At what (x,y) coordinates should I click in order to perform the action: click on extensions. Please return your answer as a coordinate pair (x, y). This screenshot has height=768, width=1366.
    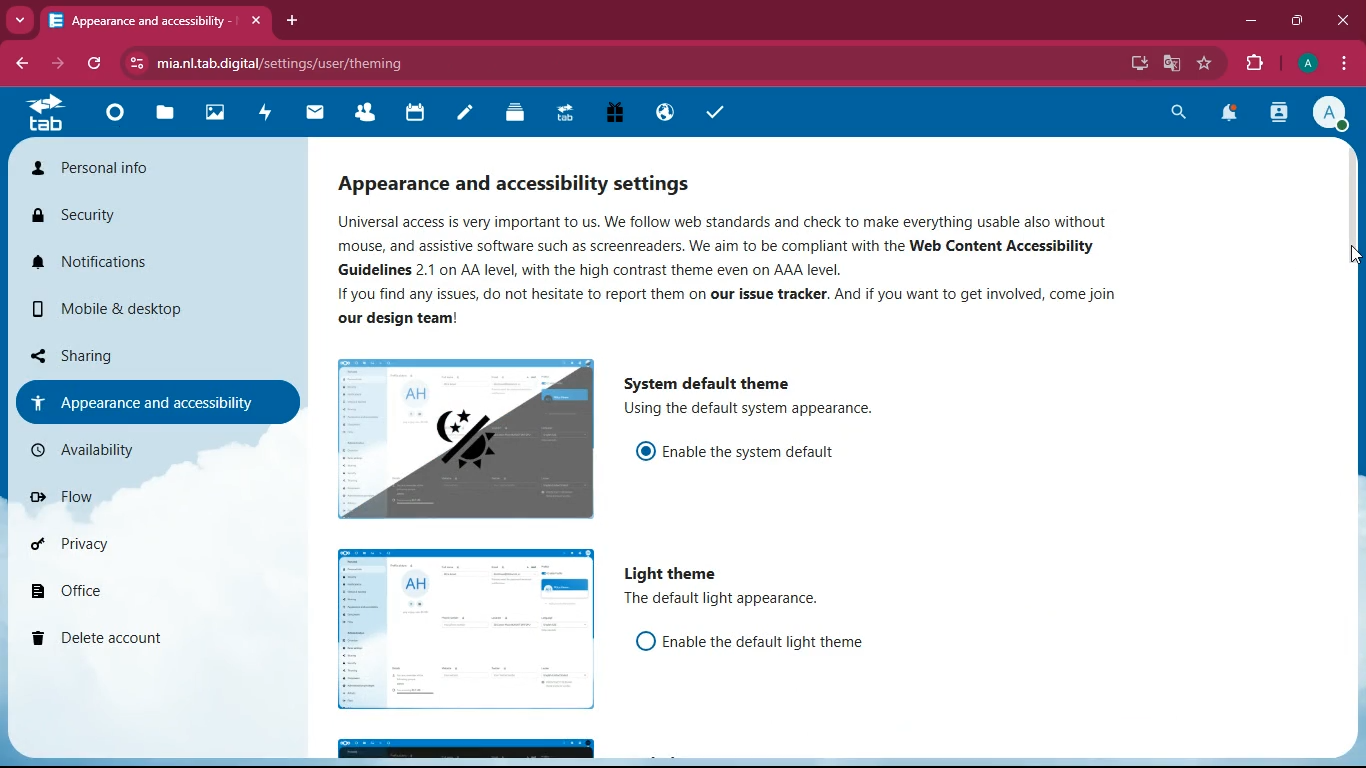
    Looking at the image, I should click on (1255, 64).